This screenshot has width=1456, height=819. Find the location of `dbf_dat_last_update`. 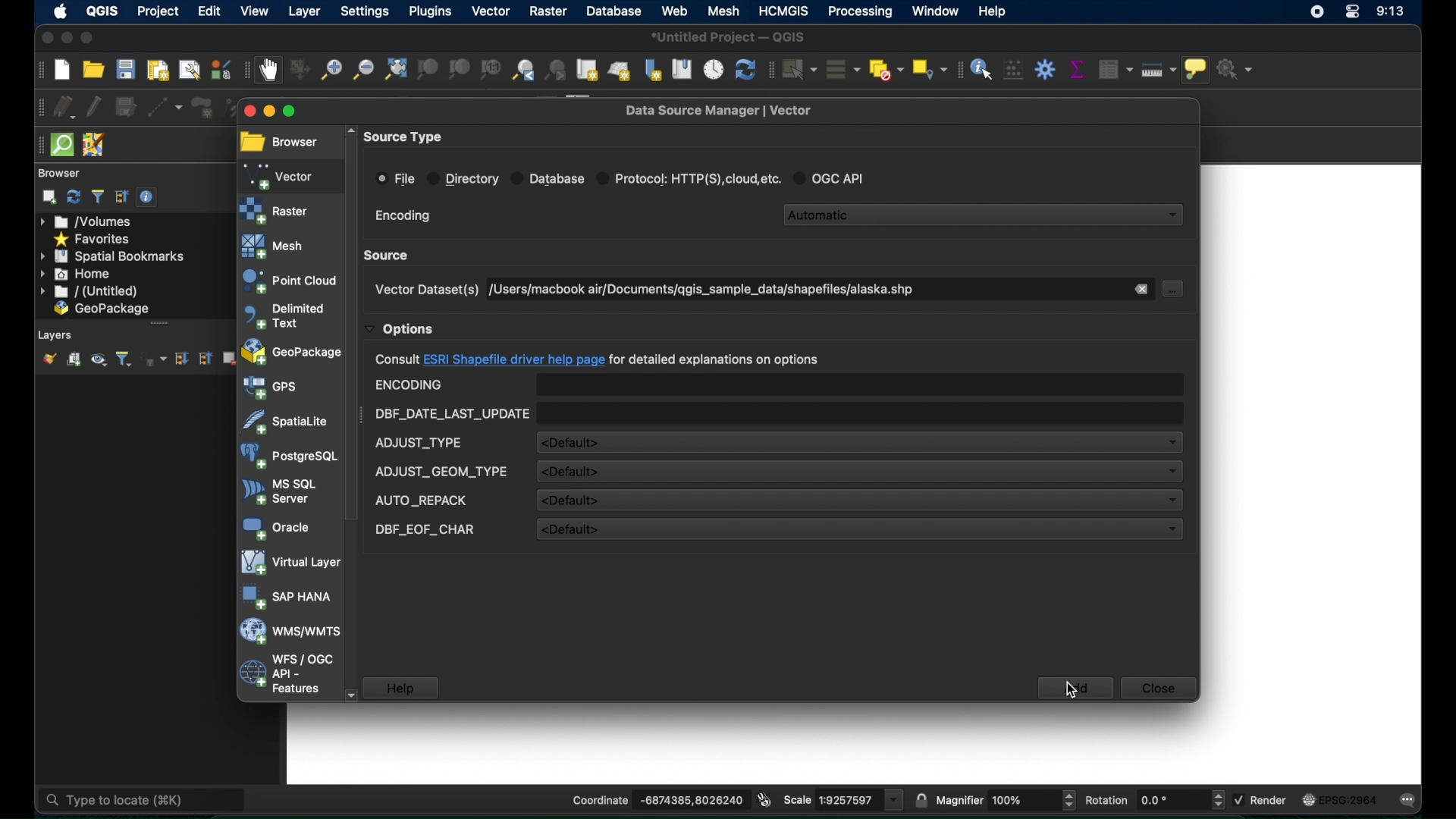

dbf_dat_last_update is located at coordinates (451, 414).